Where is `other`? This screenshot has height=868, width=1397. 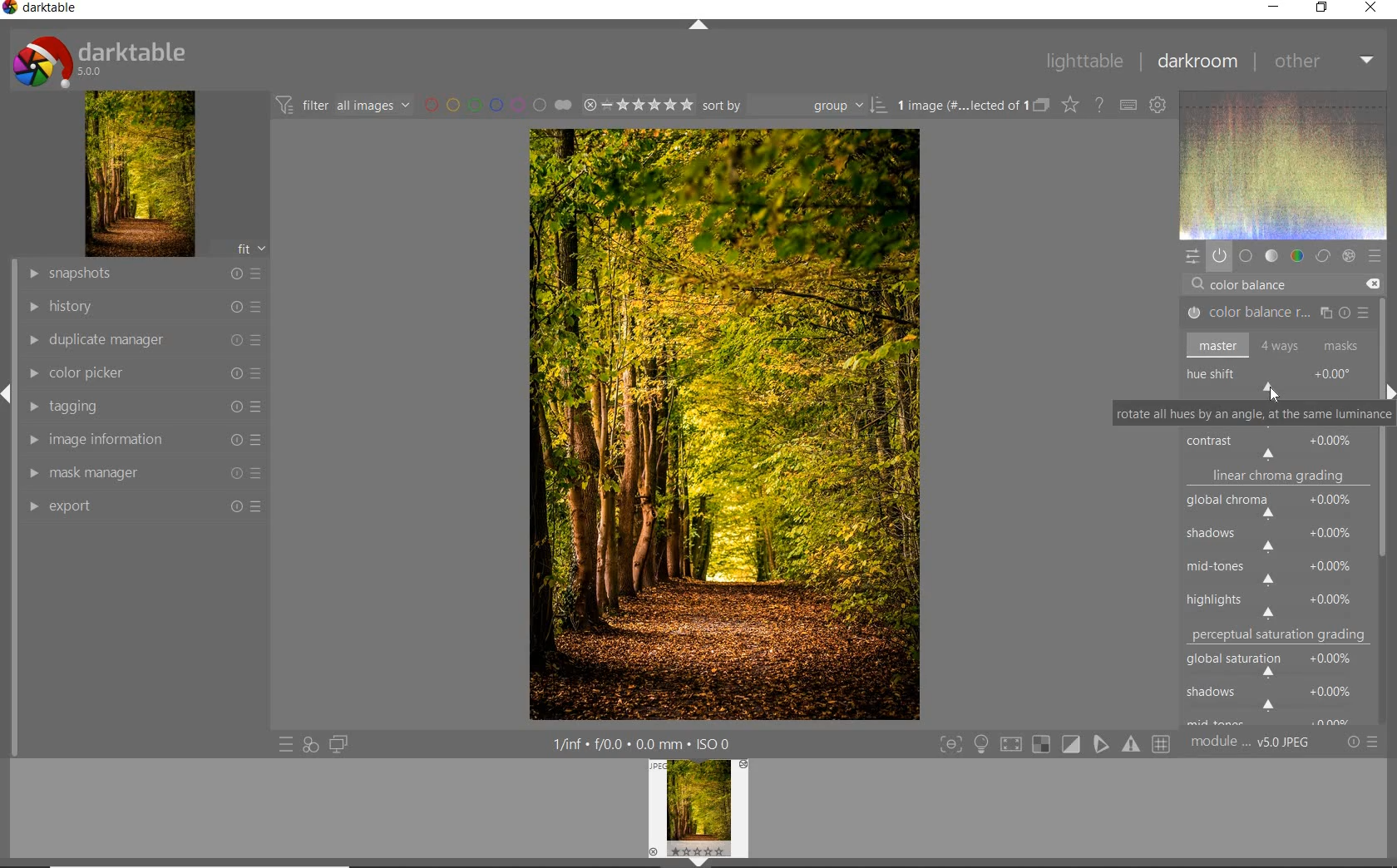
other is located at coordinates (1325, 62).